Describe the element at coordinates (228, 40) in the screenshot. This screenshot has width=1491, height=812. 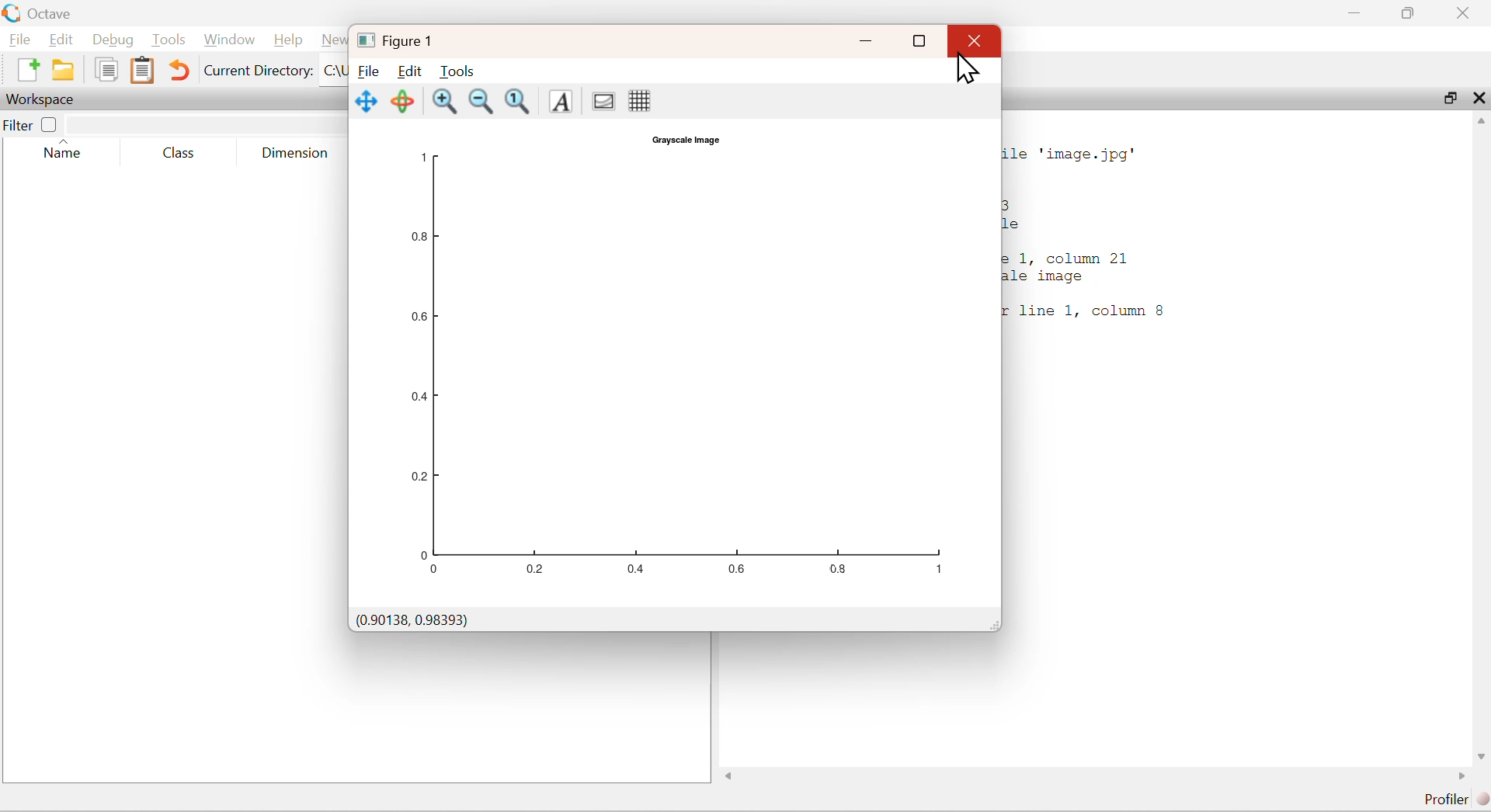
I see `Window` at that location.